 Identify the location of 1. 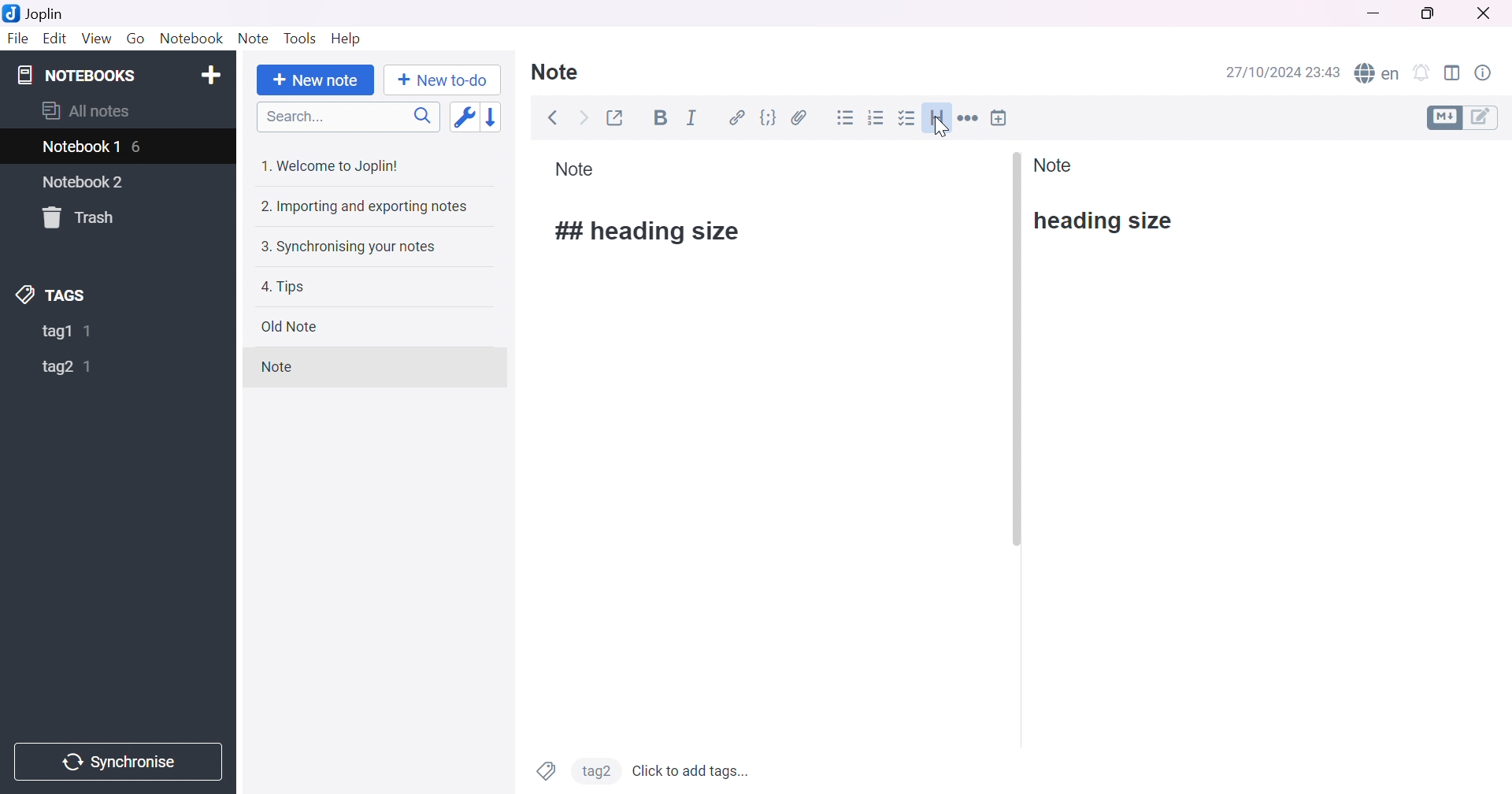
(90, 368).